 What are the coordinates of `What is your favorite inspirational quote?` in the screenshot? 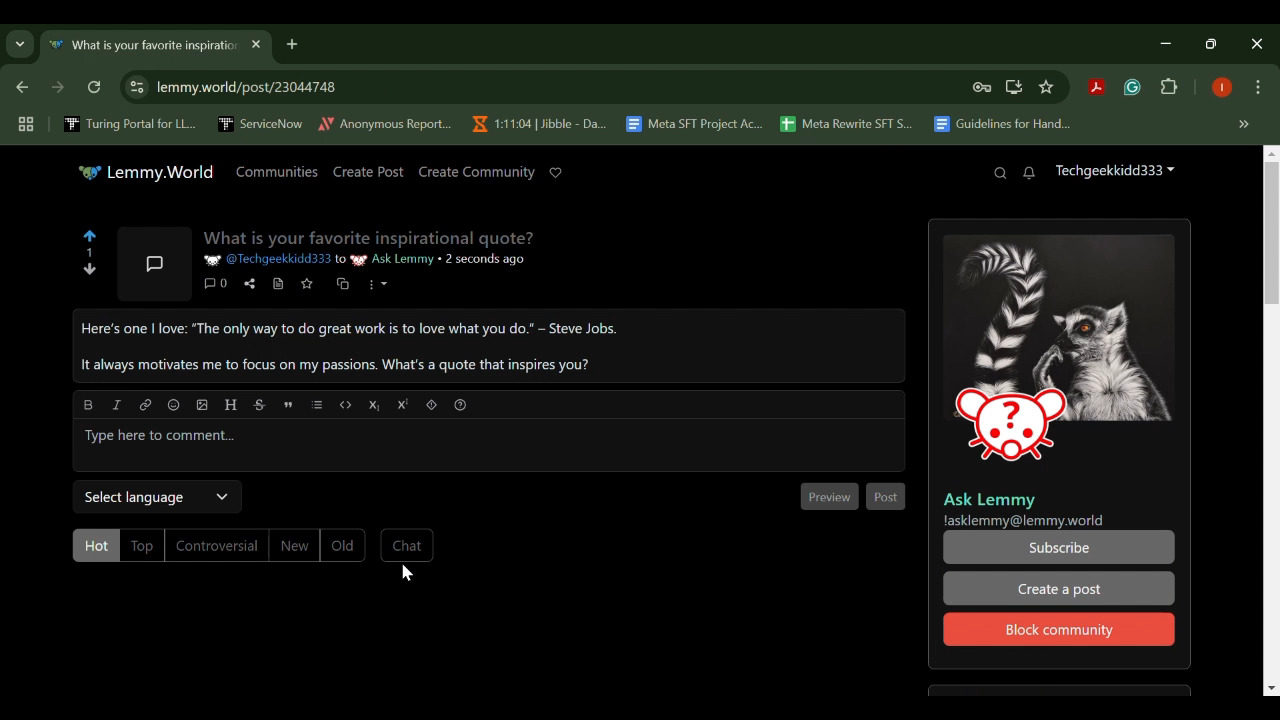 It's located at (367, 239).